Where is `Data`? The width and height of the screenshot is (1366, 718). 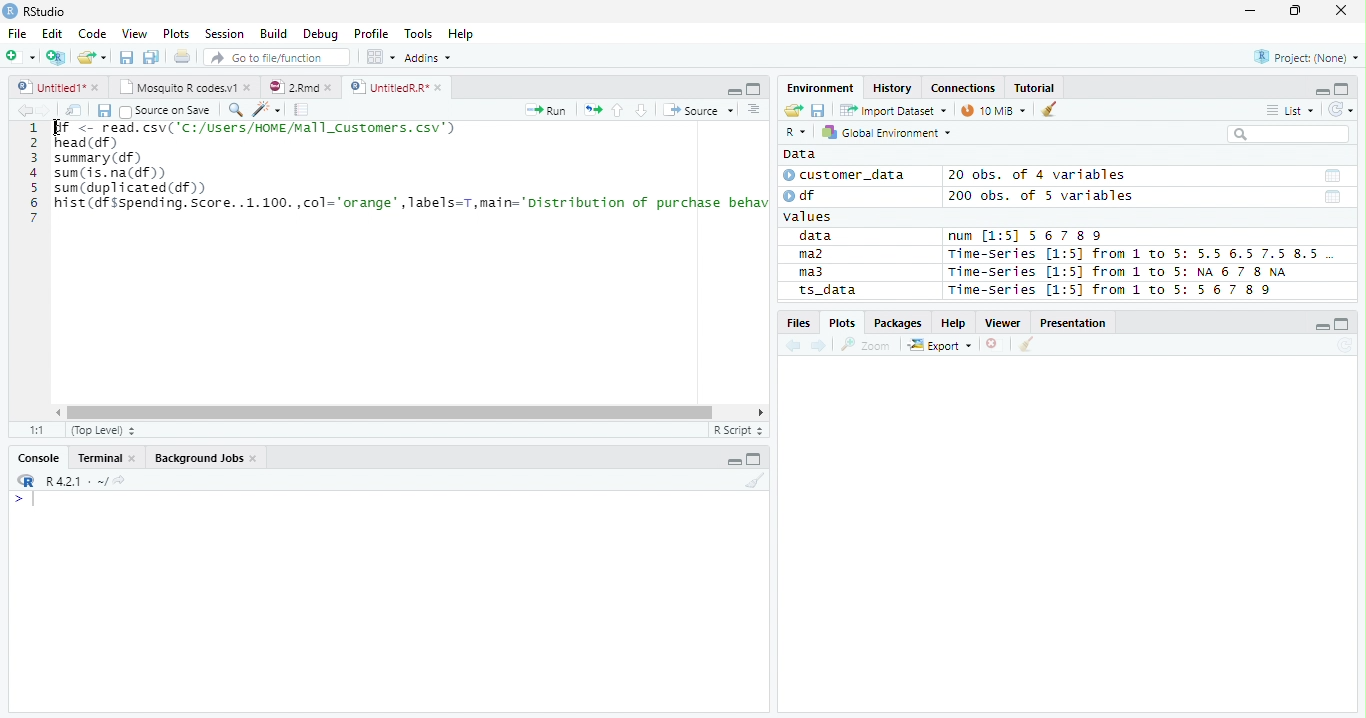 Data is located at coordinates (799, 154).